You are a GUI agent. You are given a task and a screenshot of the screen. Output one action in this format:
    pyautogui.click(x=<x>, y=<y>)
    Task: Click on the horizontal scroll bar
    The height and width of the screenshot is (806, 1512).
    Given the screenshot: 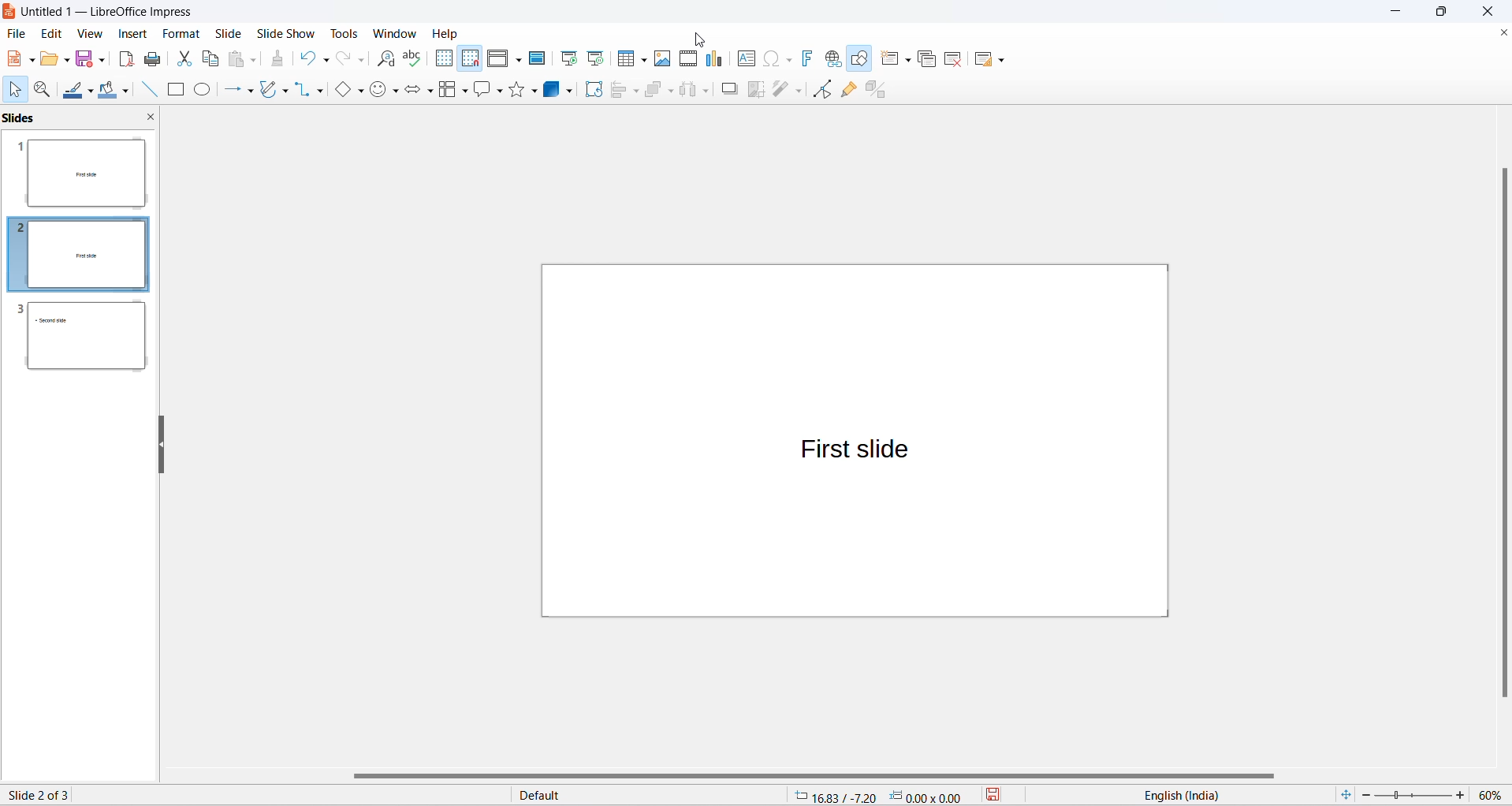 What is the action you would take?
    pyautogui.click(x=818, y=775)
    